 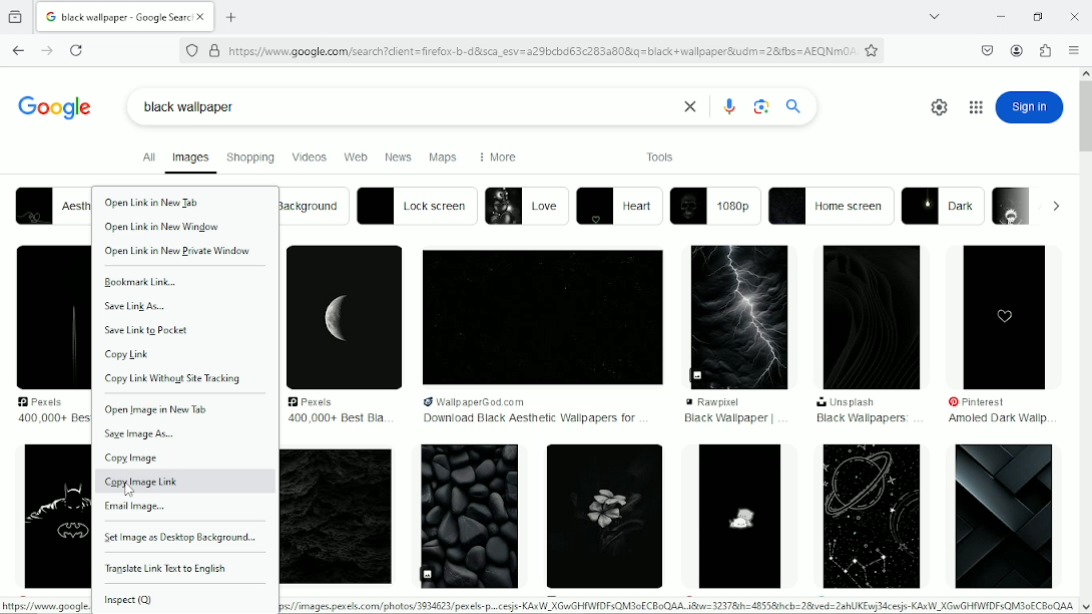 I want to click on black image, so click(x=345, y=317).